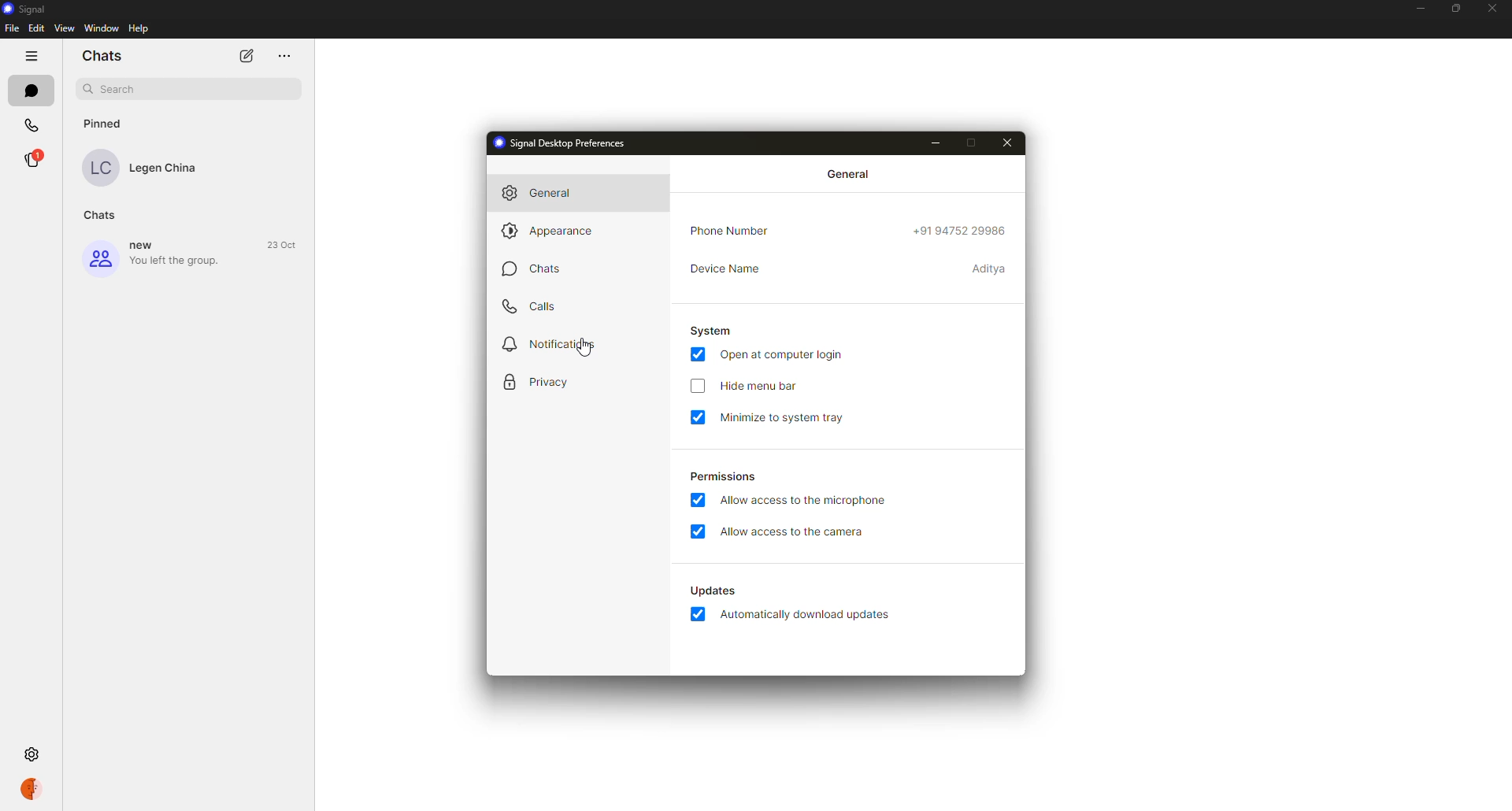 This screenshot has height=811, width=1512. Describe the element at coordinates (191, 90) in the screenshot. I see `search` at that location.